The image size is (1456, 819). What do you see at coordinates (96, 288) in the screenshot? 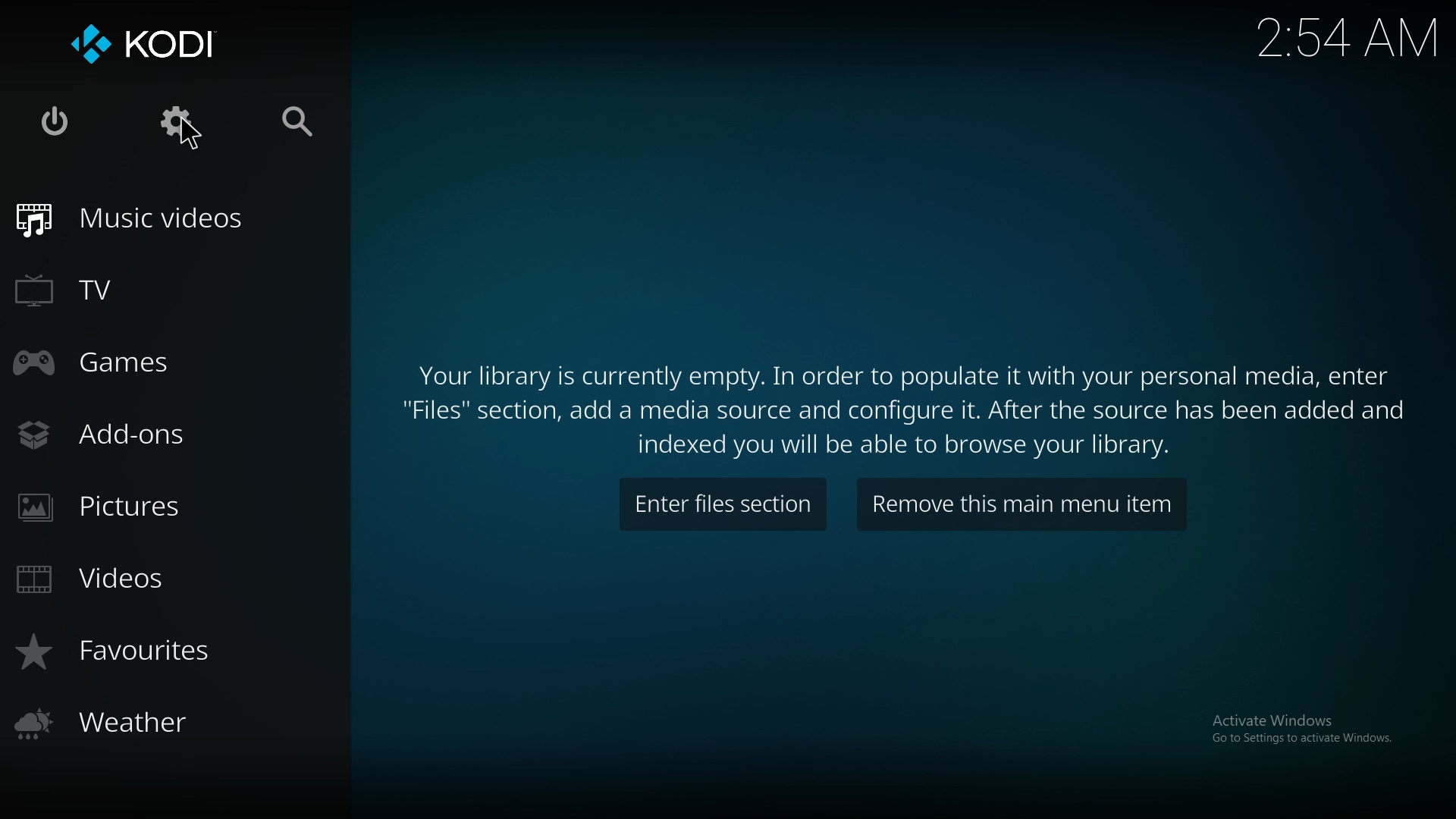
I see `tv` at bounding box center [96, 288].